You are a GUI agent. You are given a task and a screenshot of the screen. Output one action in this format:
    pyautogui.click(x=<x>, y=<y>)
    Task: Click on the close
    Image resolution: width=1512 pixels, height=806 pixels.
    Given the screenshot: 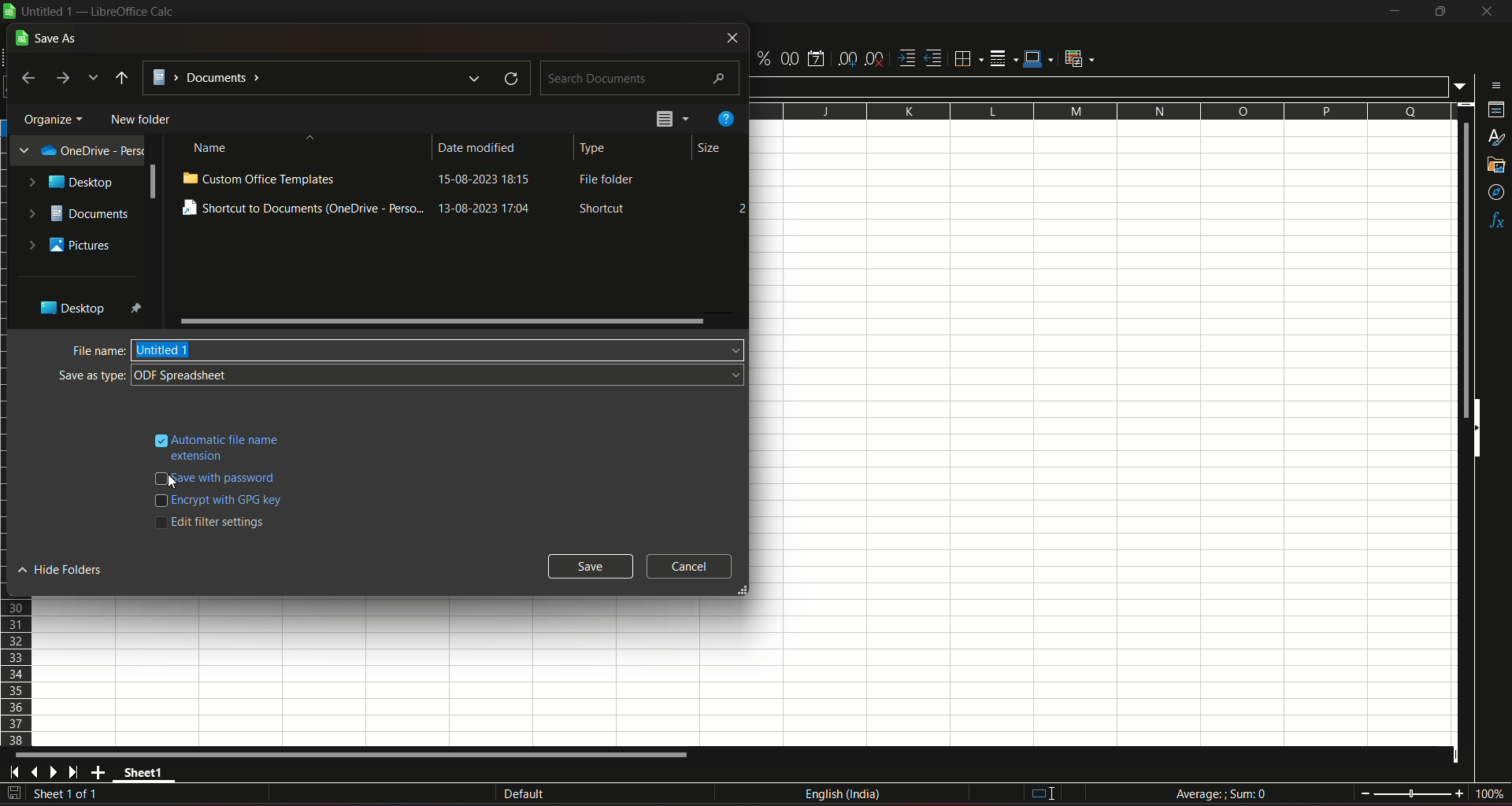 What is the action you would take?
    pyautogui.click(x=1484, y=14)
    